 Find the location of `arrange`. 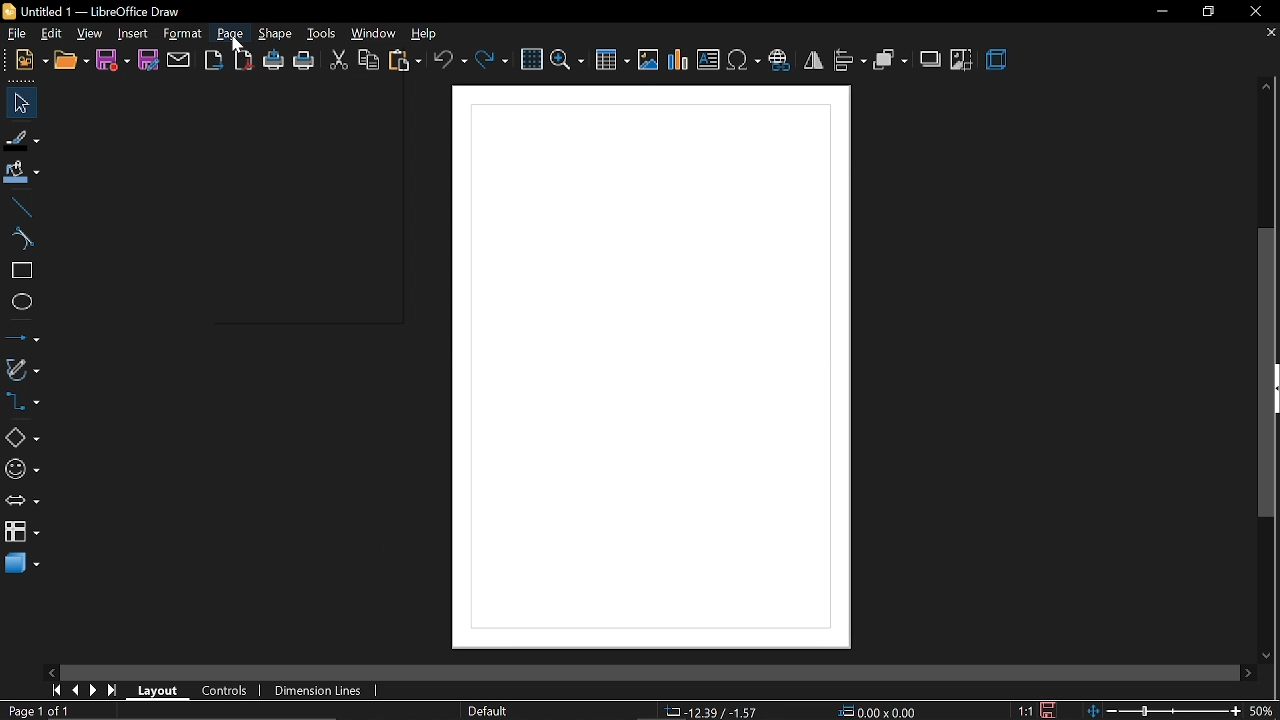

arrange is located at coordinates (890, 60).